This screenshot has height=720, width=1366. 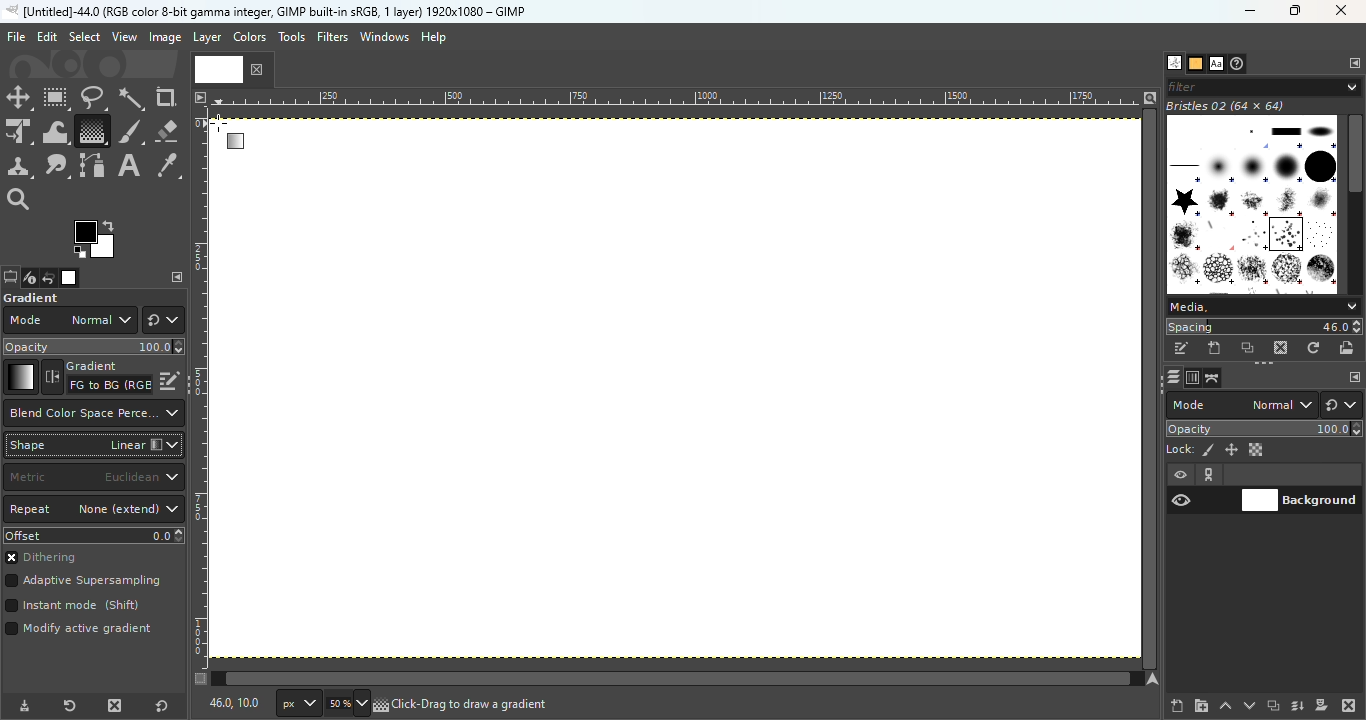 What do you see at coordinates (47, 37) in the screenshot?
I see `Edit` at bounding box center [47, 37].